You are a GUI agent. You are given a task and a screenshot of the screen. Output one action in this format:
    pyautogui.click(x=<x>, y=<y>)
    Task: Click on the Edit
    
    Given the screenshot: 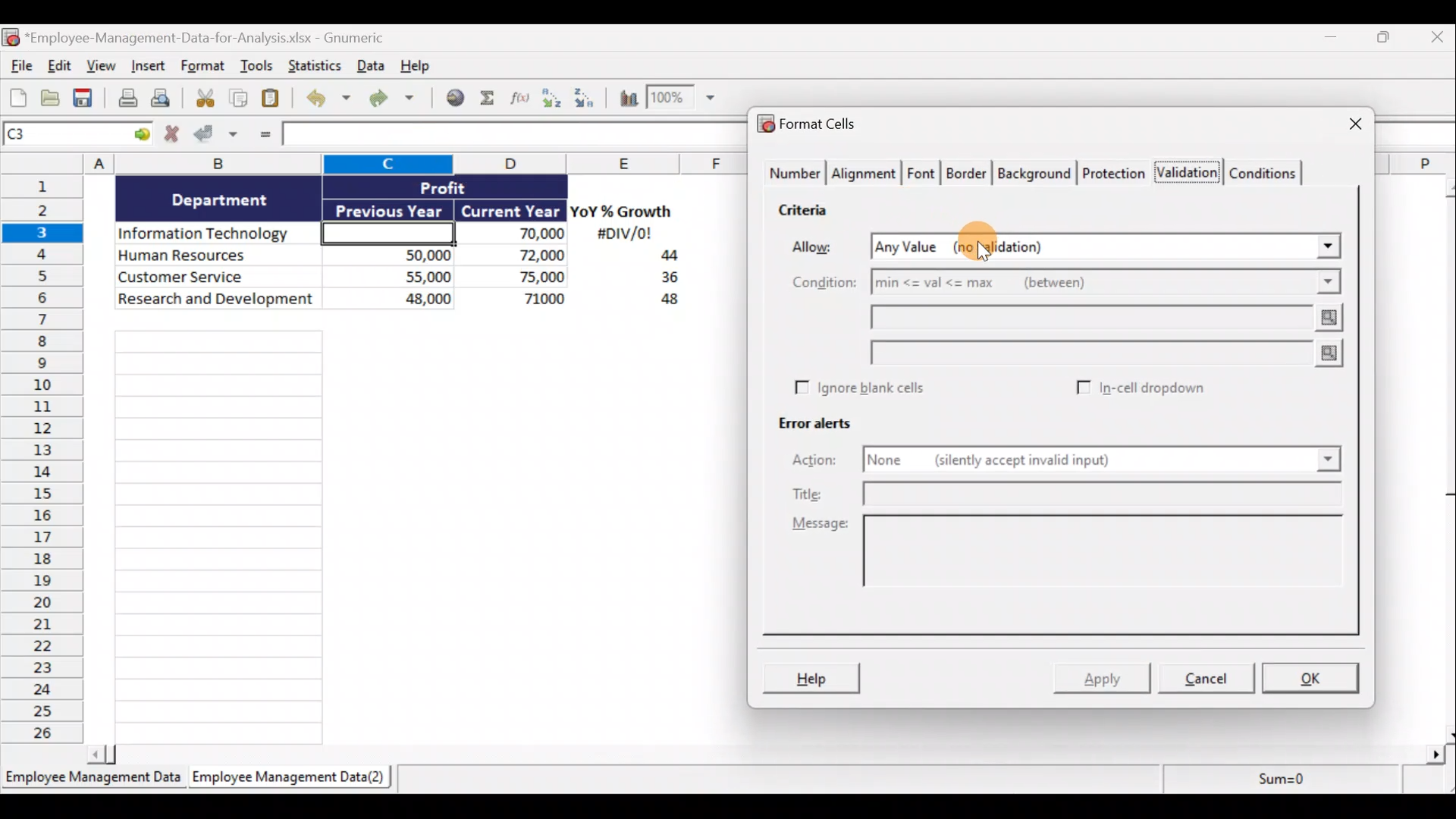 What is the action you would take?
    pyautogui.click(x=58, y=67)
    